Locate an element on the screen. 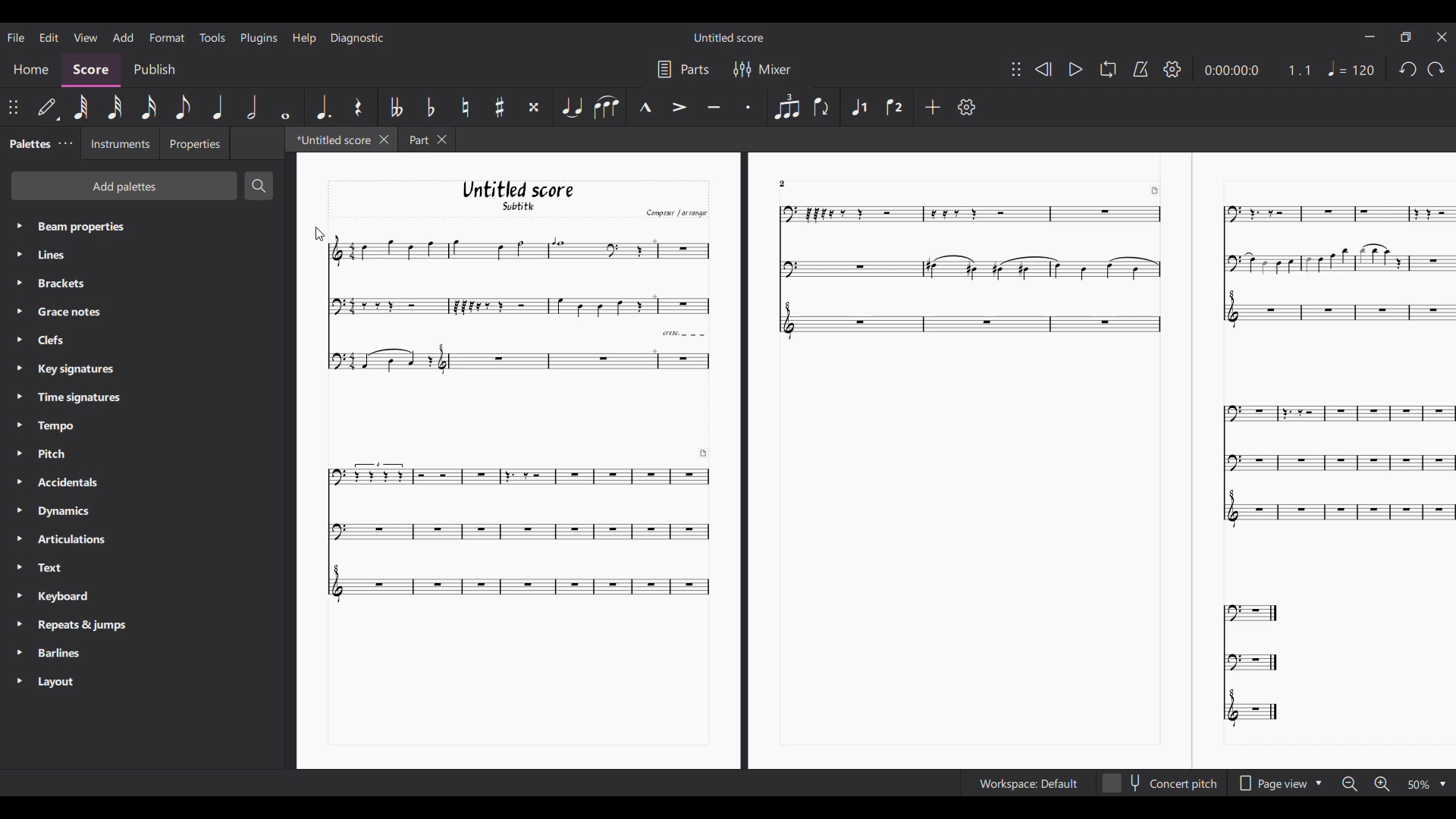 The width and height of the screenshot is (1456, 819). 2 is located at coordinates (792, 183).